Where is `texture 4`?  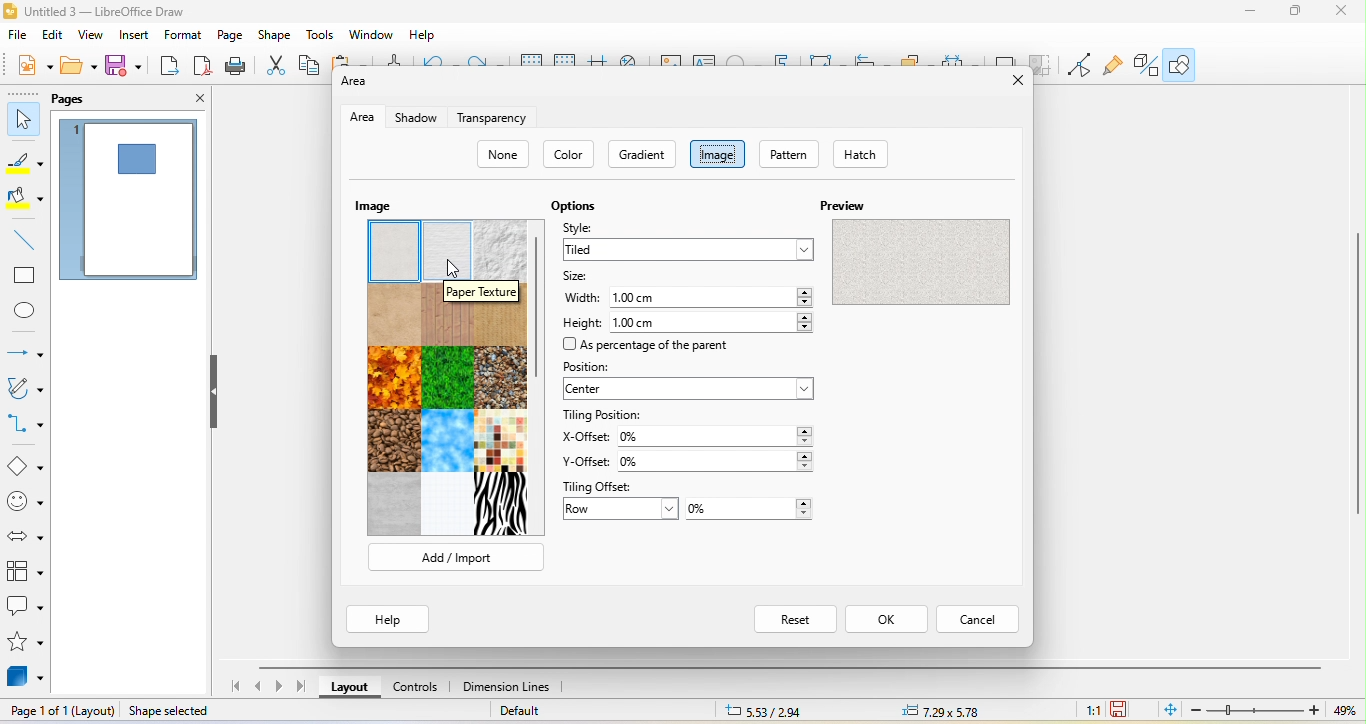 texture 4 is located at coordinates (394, 314).